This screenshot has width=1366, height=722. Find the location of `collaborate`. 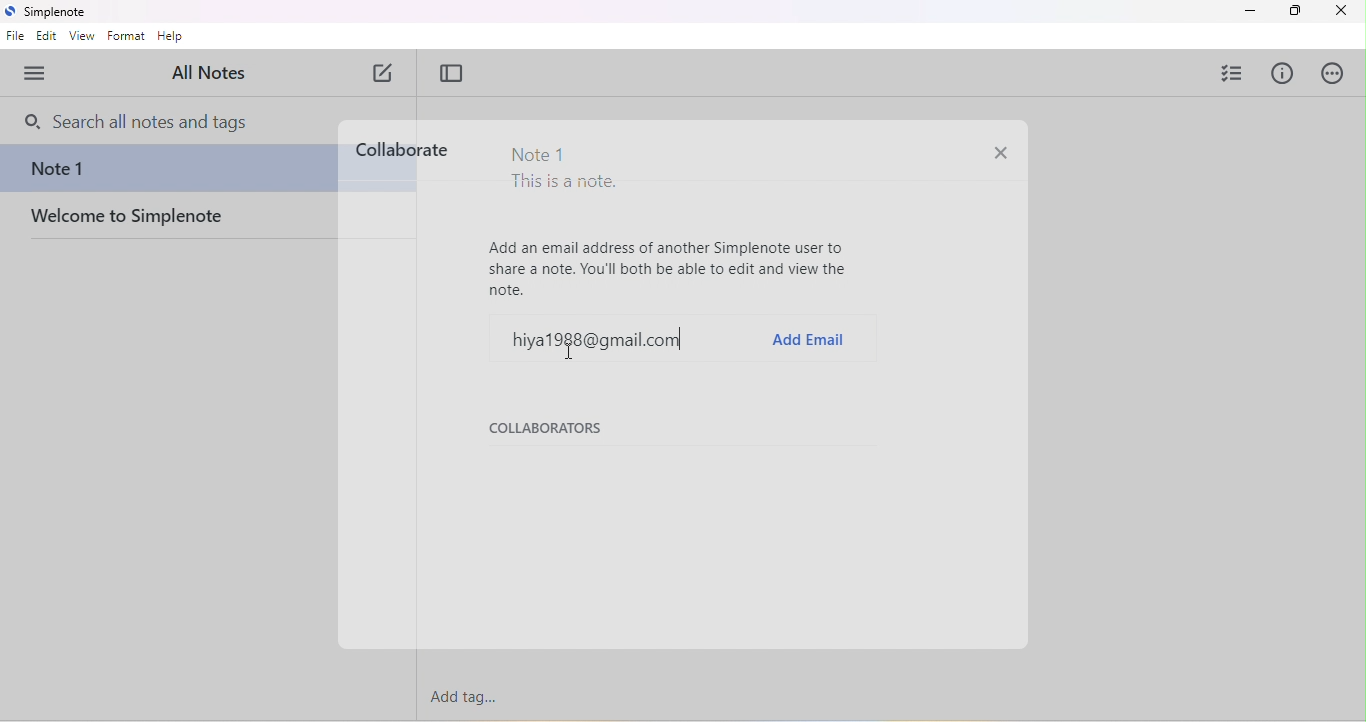

collaborate is located at coordinates (401, 149).